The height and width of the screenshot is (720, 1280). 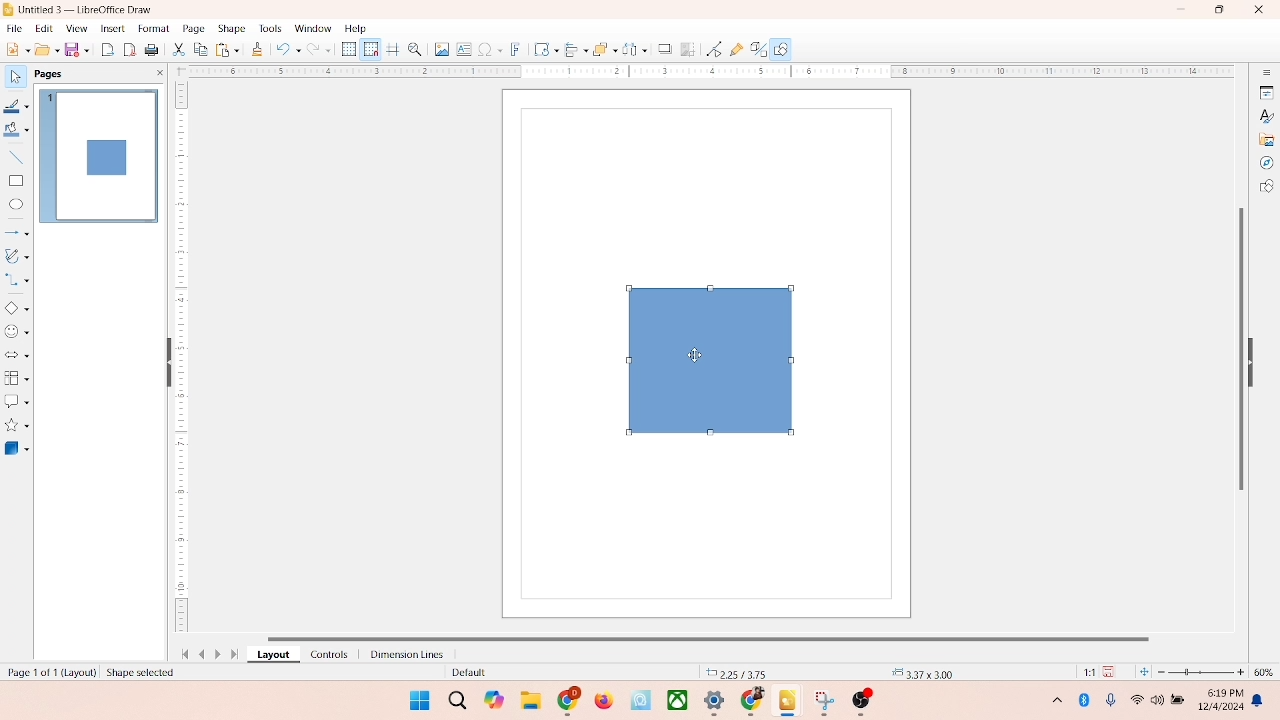 I want to click on shadow, so click(x=662, y=47).